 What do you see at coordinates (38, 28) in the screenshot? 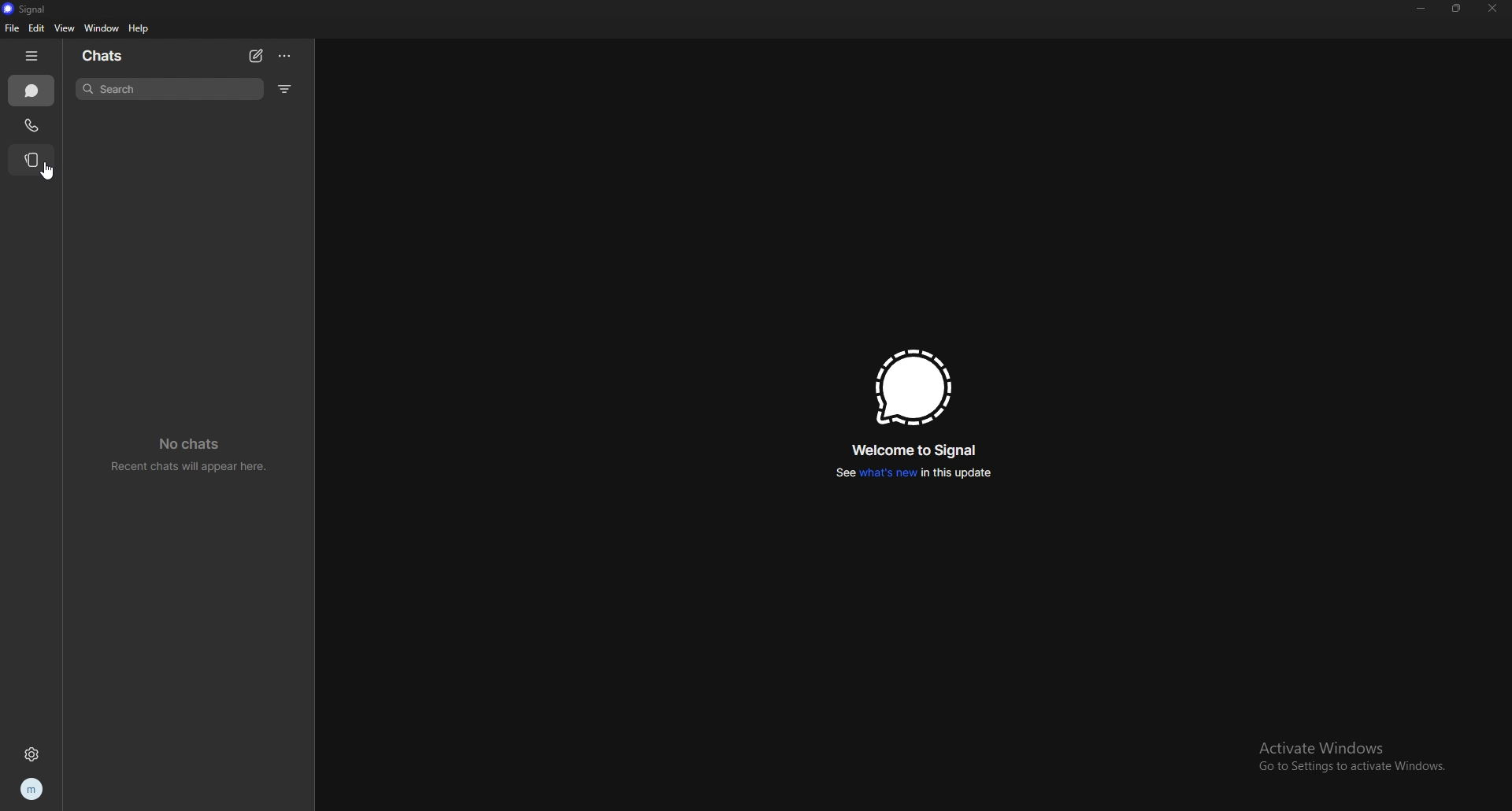
I see `edit` at bounding box center [38, 28].